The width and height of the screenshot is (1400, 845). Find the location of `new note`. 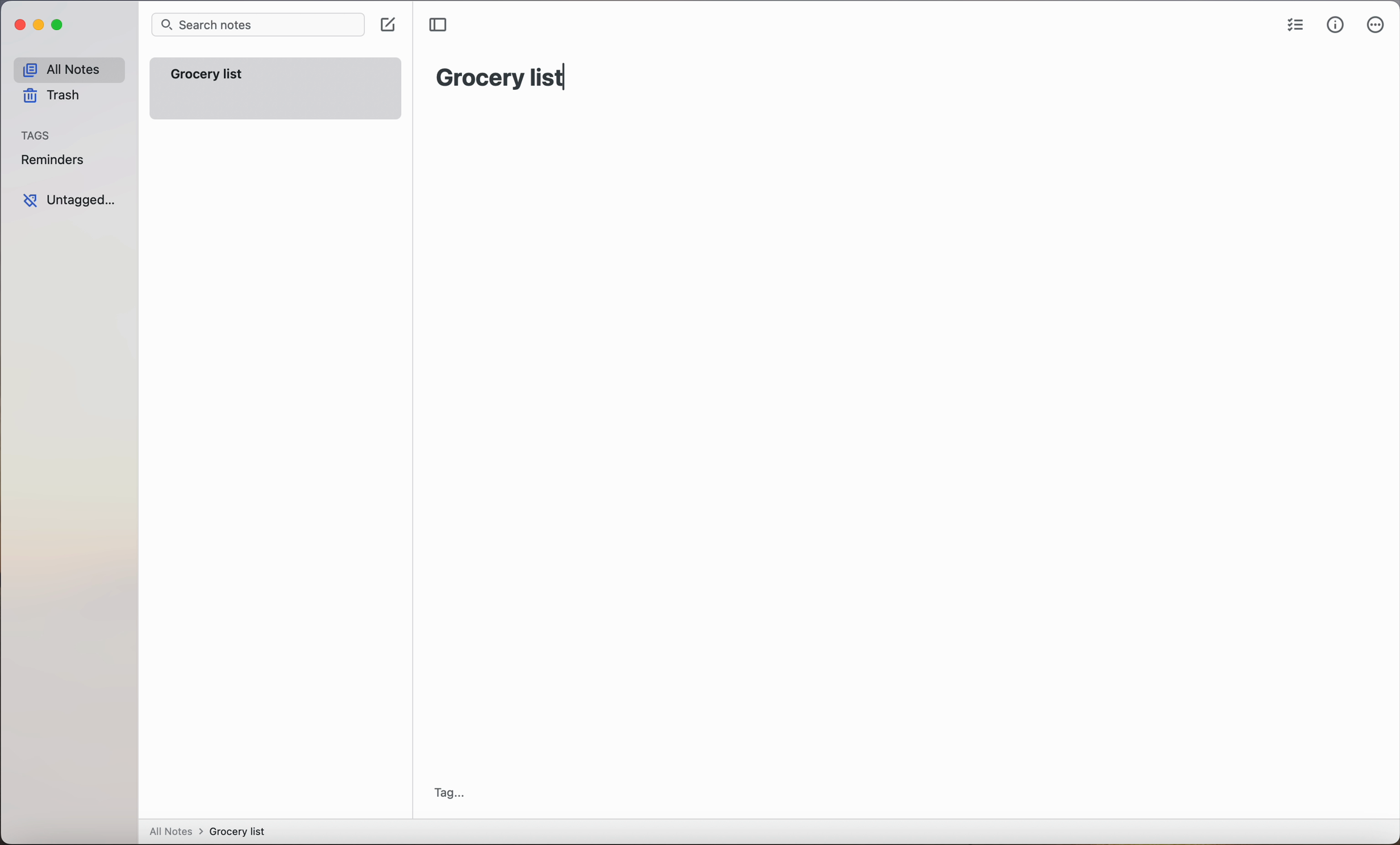

new note is located at coordinates (277, 89).